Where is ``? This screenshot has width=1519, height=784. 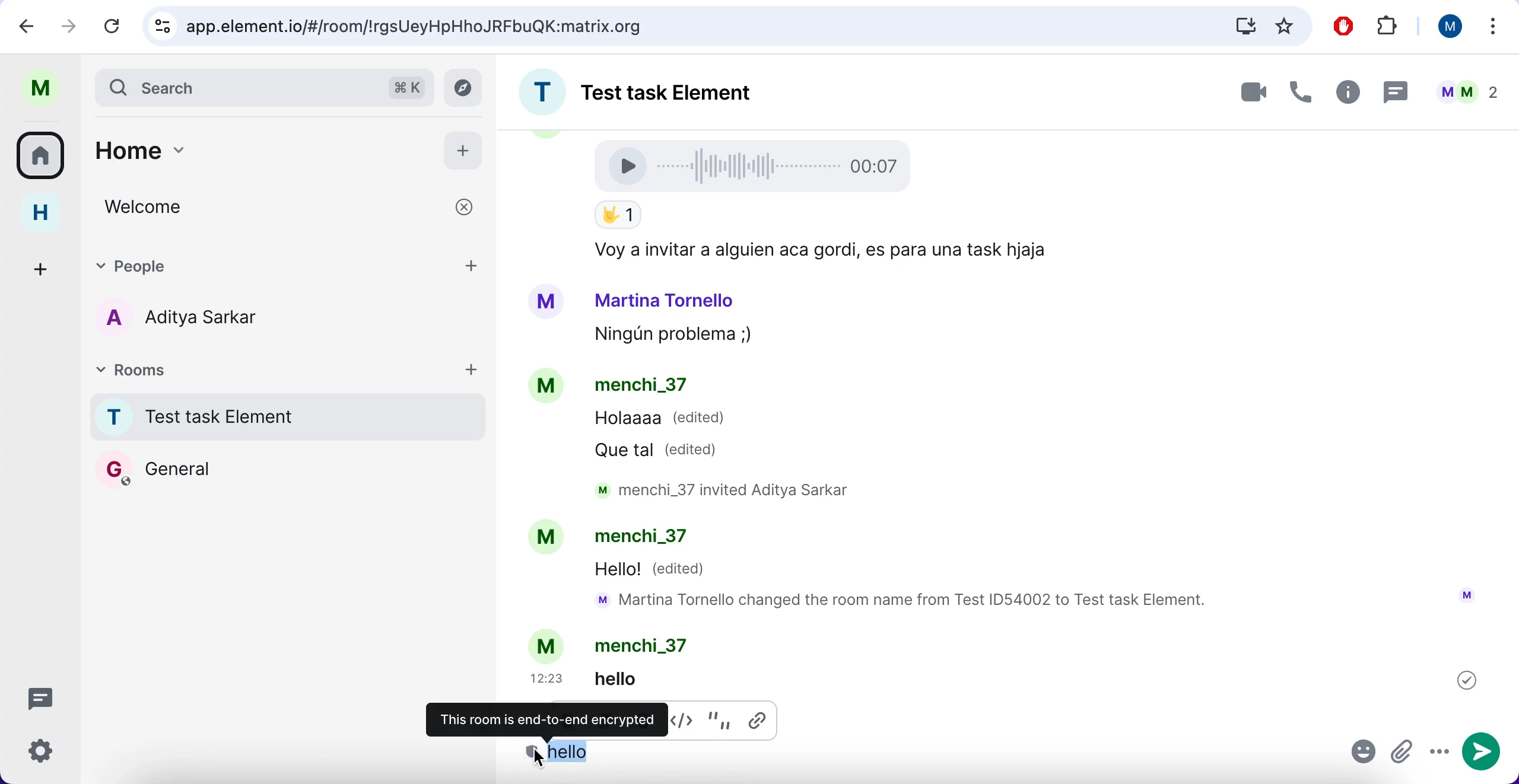  is located at coordinates (1467, 680).